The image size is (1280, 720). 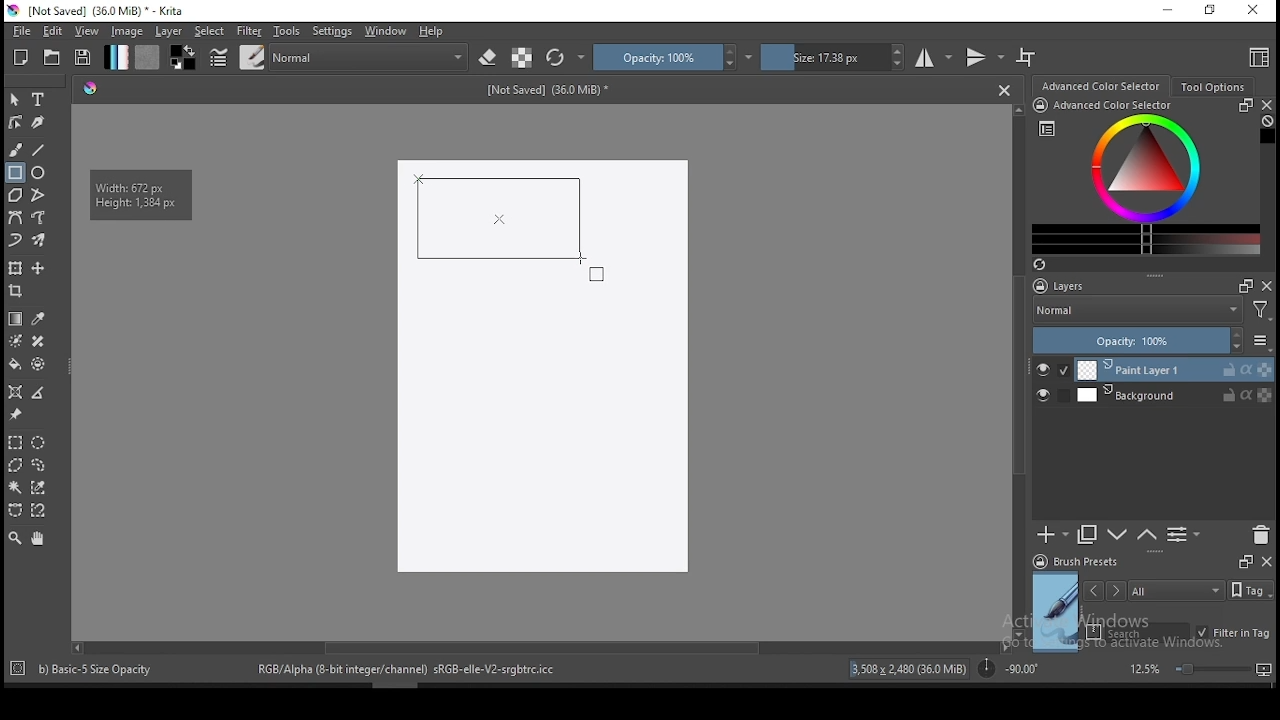 What do you see at coordinates (15, 267) in the screenshot?
I see `transform a layer or a selection` at bounding box center [15, 267].